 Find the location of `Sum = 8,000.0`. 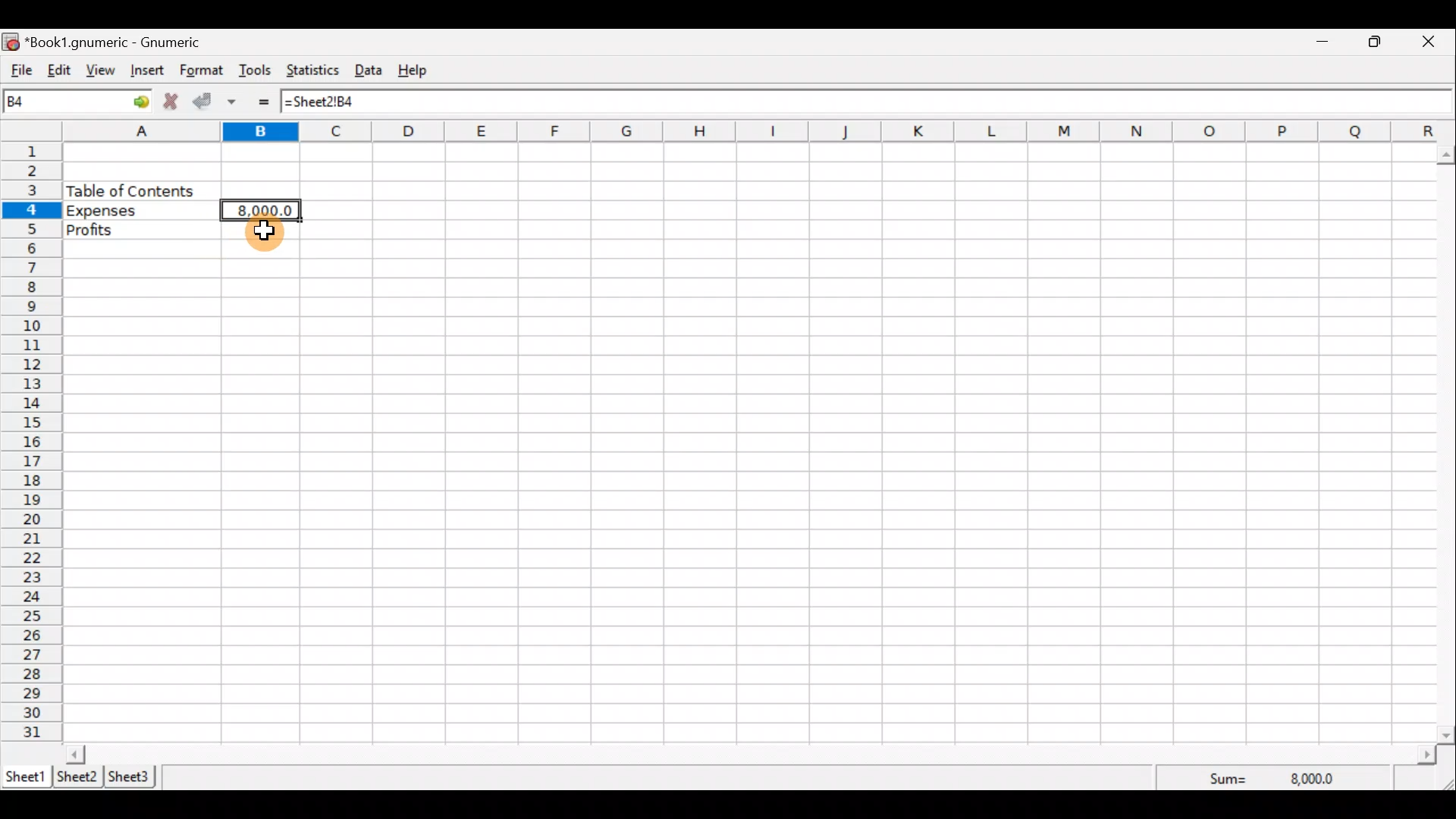

Sum = 8,000.0 is located at coordinates (1289, 777).